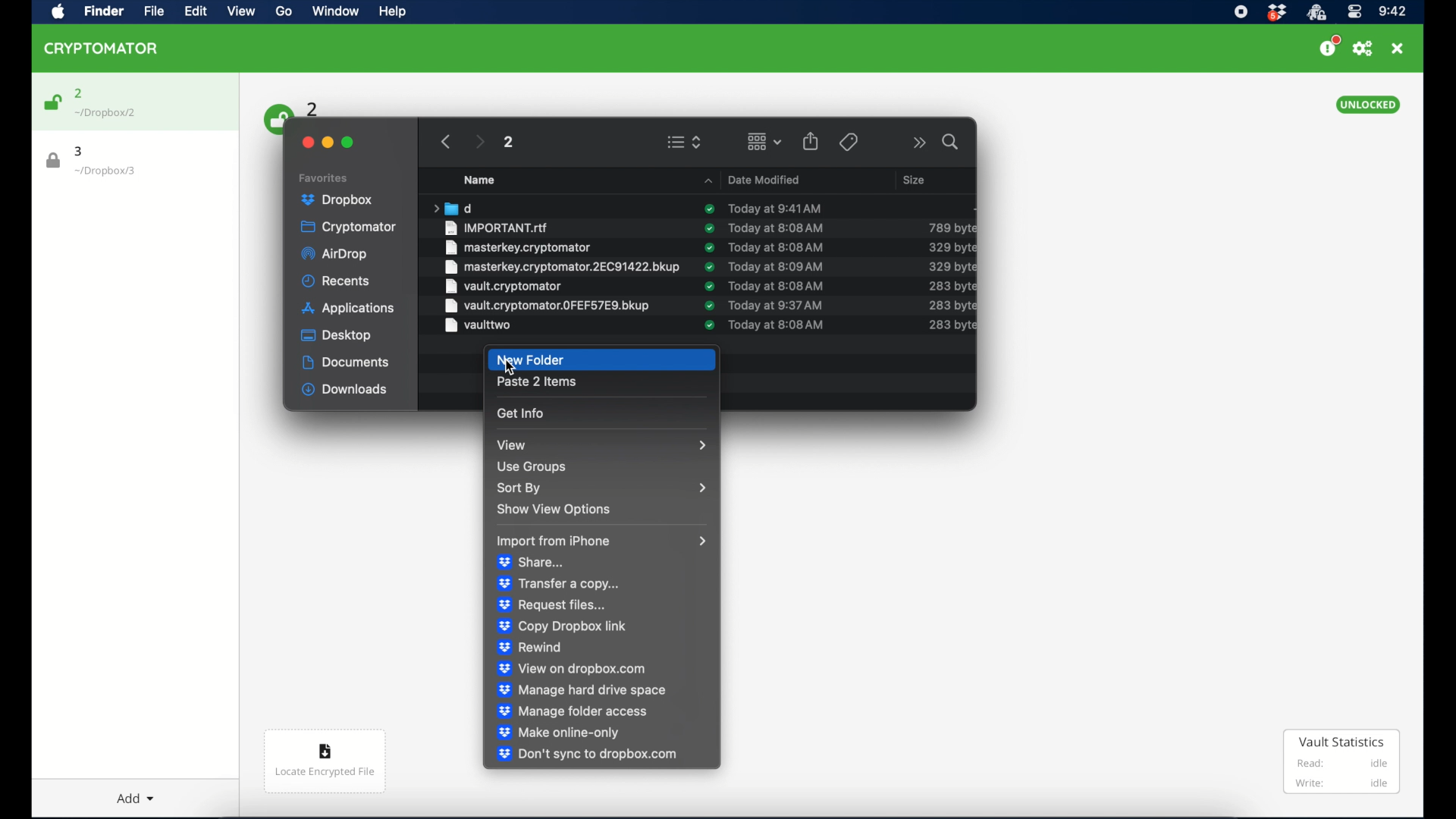 The height and width of the screenshot is (819, 1456). What do you see at coordinates (1392, 12) in the screenshot?
I see `time` at bounding box center [1392, 12].